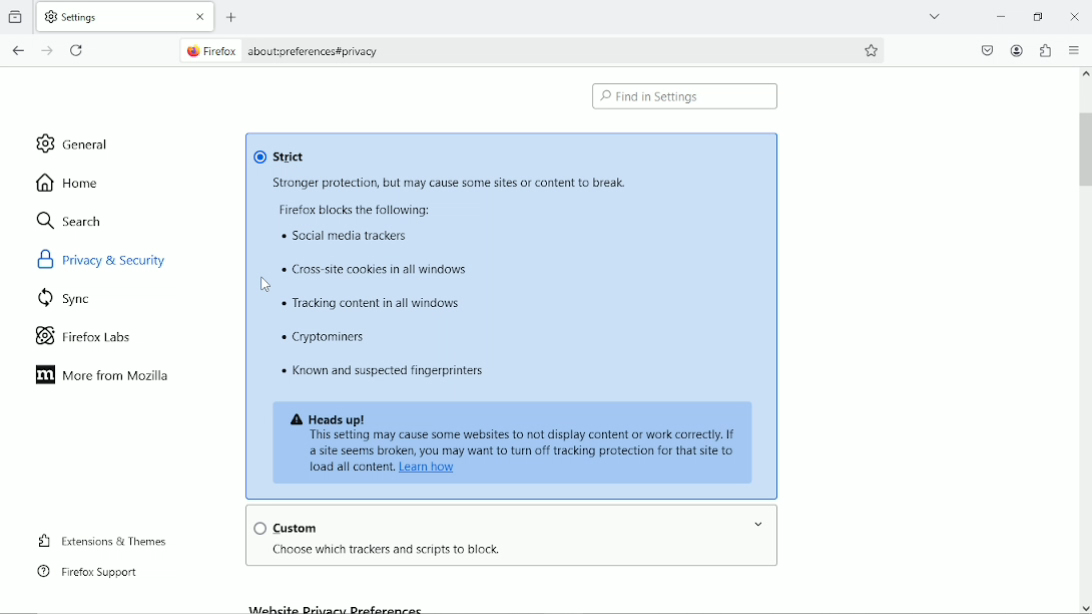 The image size is (1092, 614). What do you see at coordinates (66, 300) in the screenshot?
I see `sync` at bounding box center [66, 300].